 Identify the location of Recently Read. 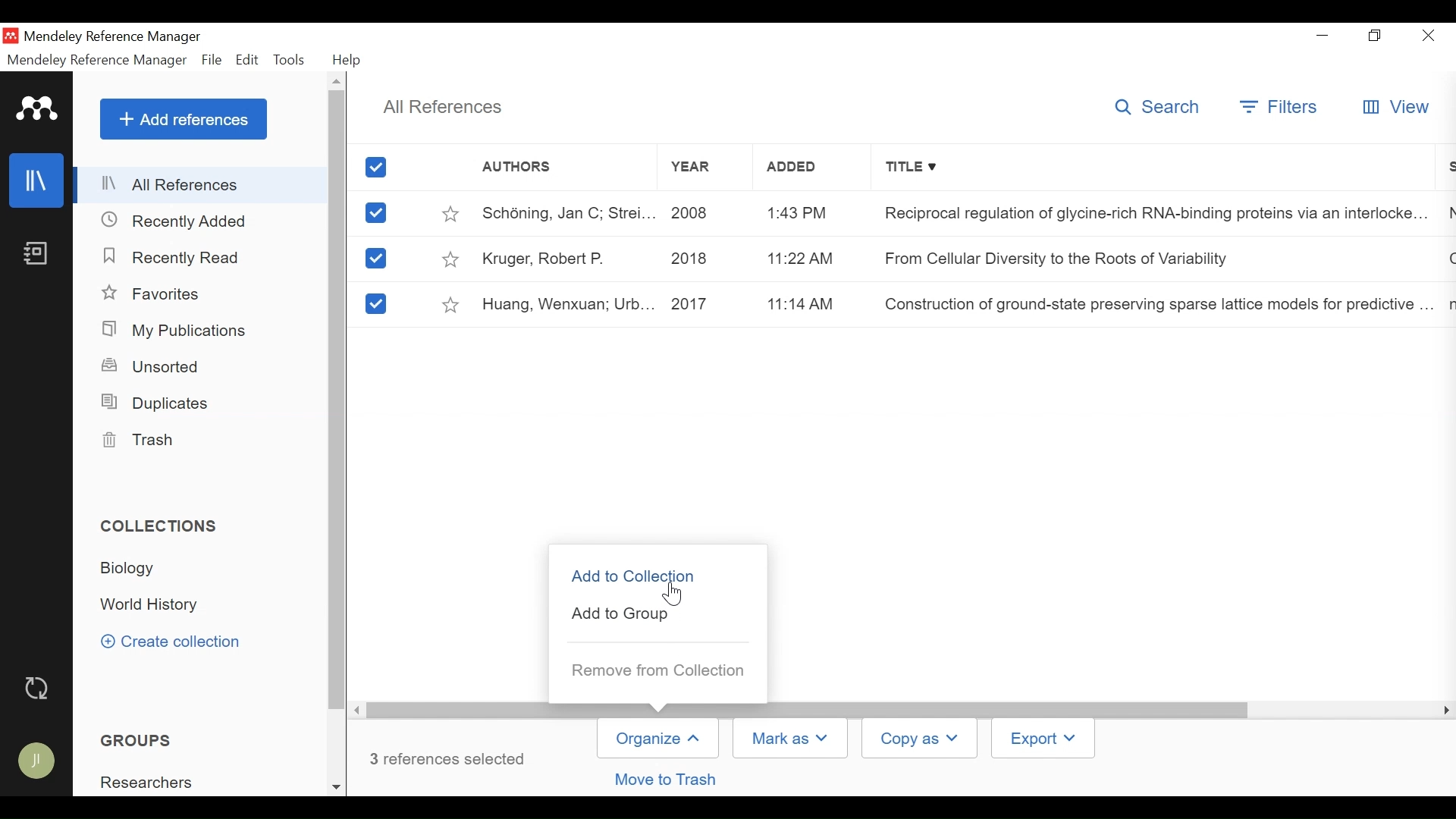
(175, 258).